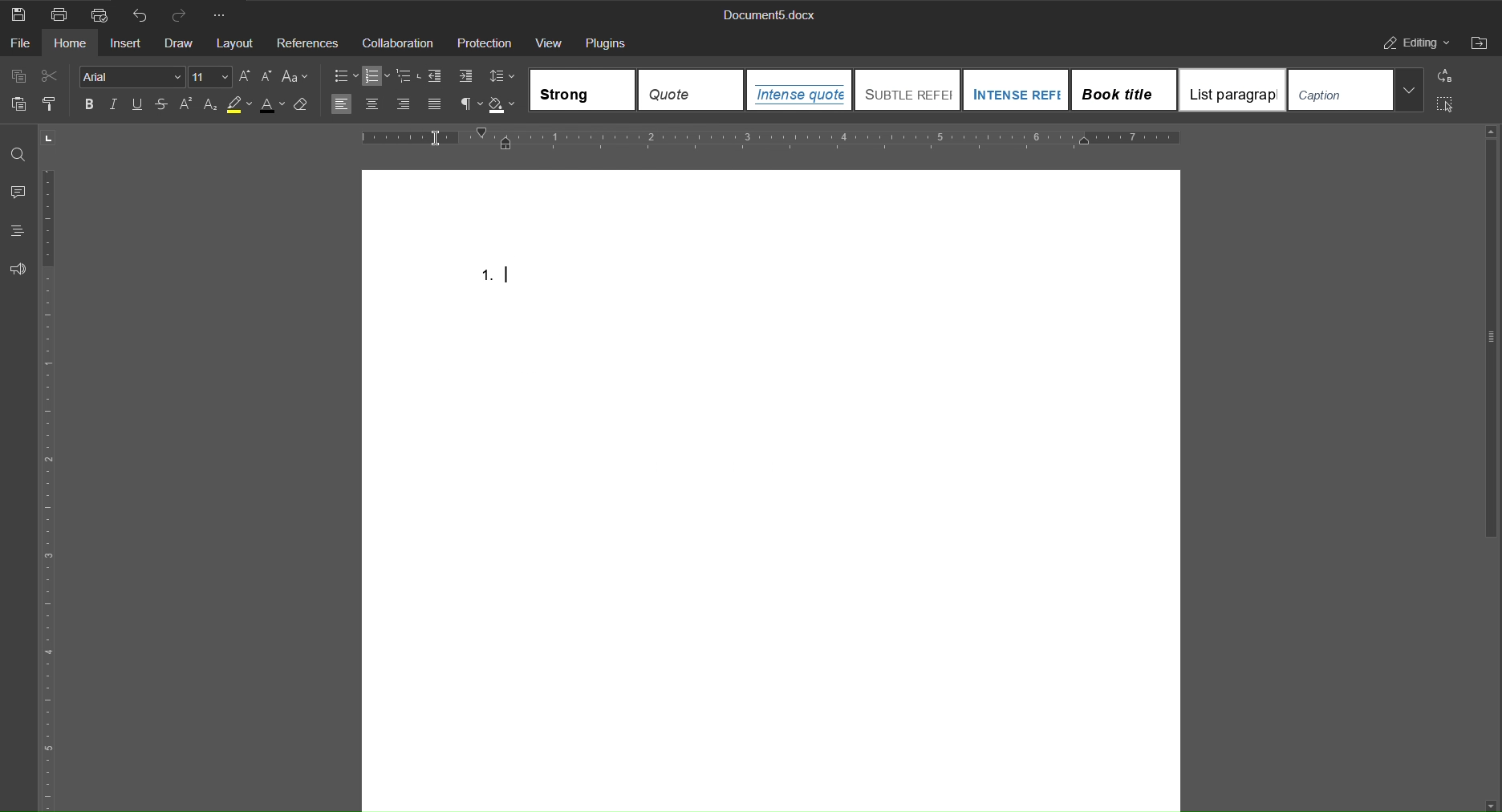 Image resolution: width=1502 pixels, height=812 pixels. Describe the element at coordinates (242, 104) in the screenshot. I see `Highlight` at that location.